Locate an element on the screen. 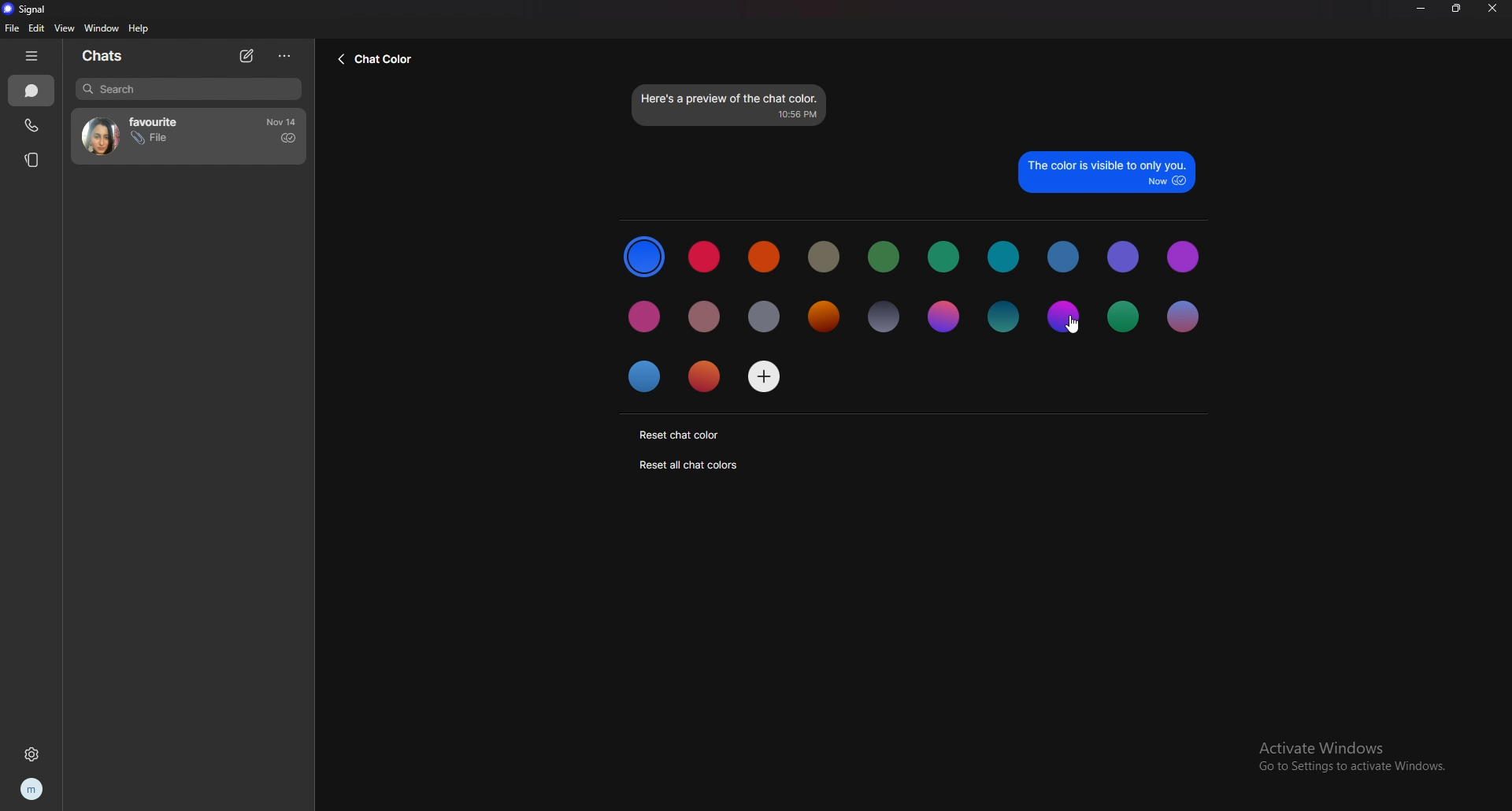 Image resolution: width=1512 pixels, height=811 pixels. color is located at coordinates (883, 318).